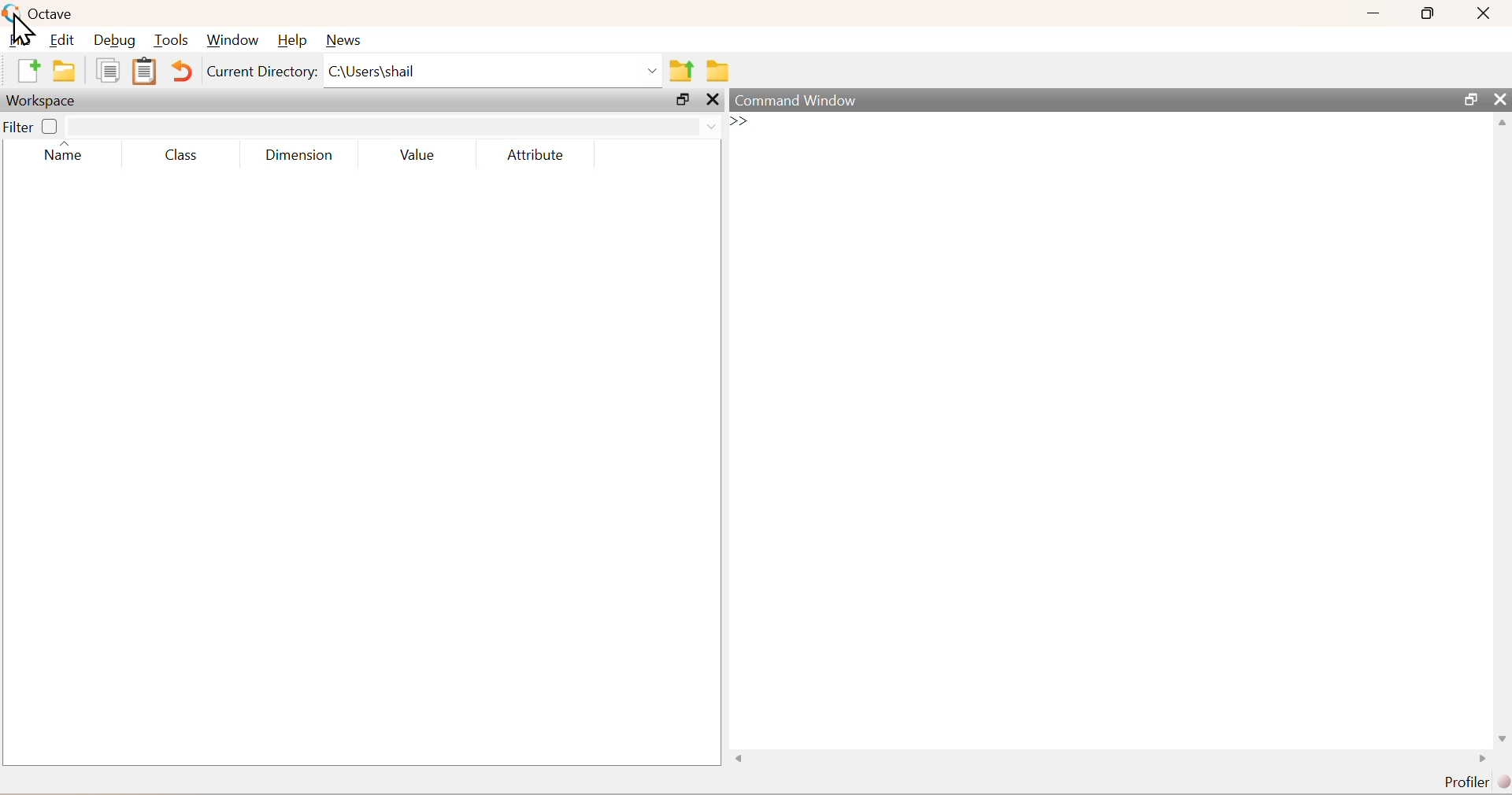  Describe the element at coordinates (234, 39) in the screenshot. I see `Window` at that location.